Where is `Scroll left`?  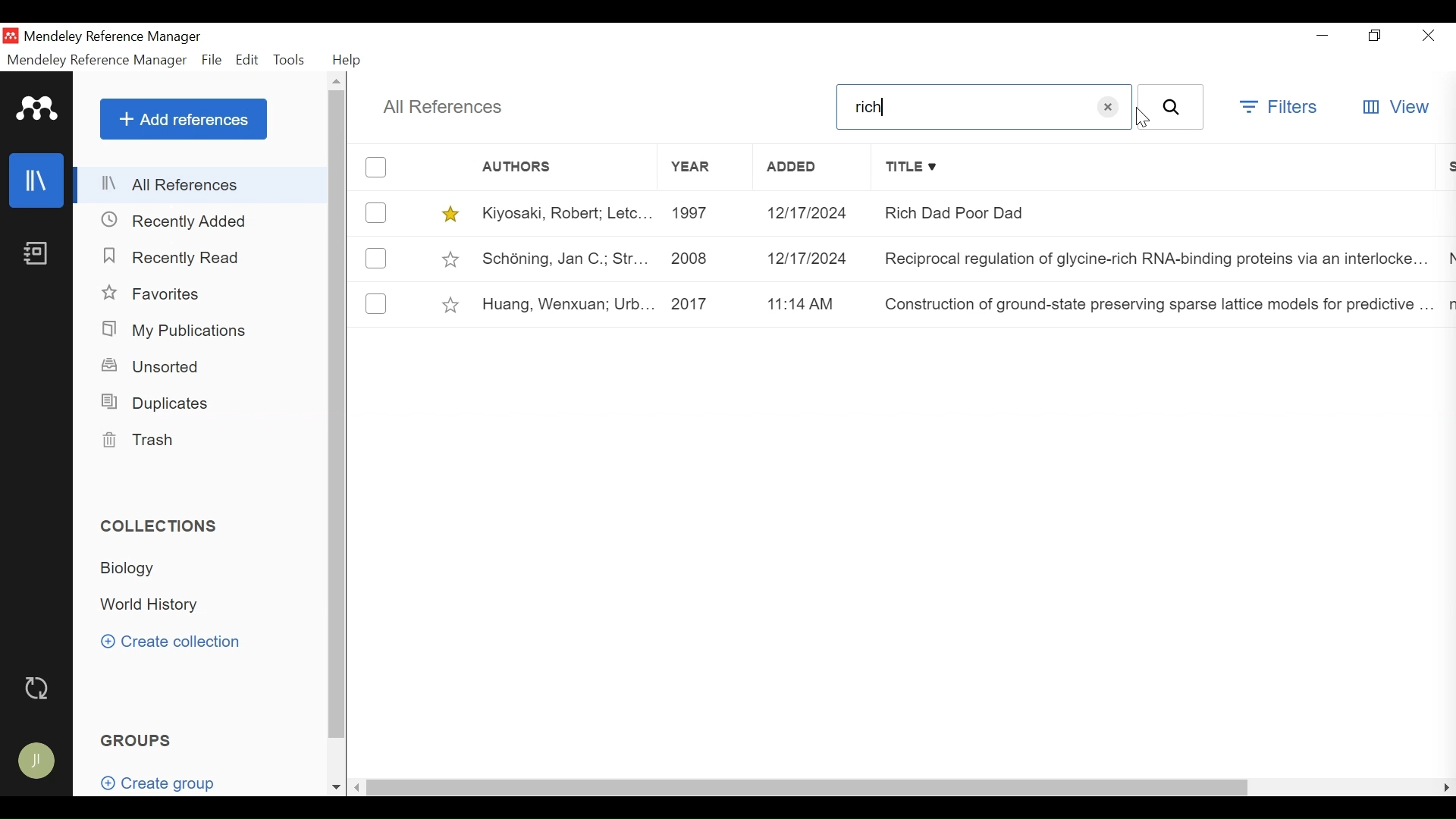 Scroll left is located at coordinates (358, 788).